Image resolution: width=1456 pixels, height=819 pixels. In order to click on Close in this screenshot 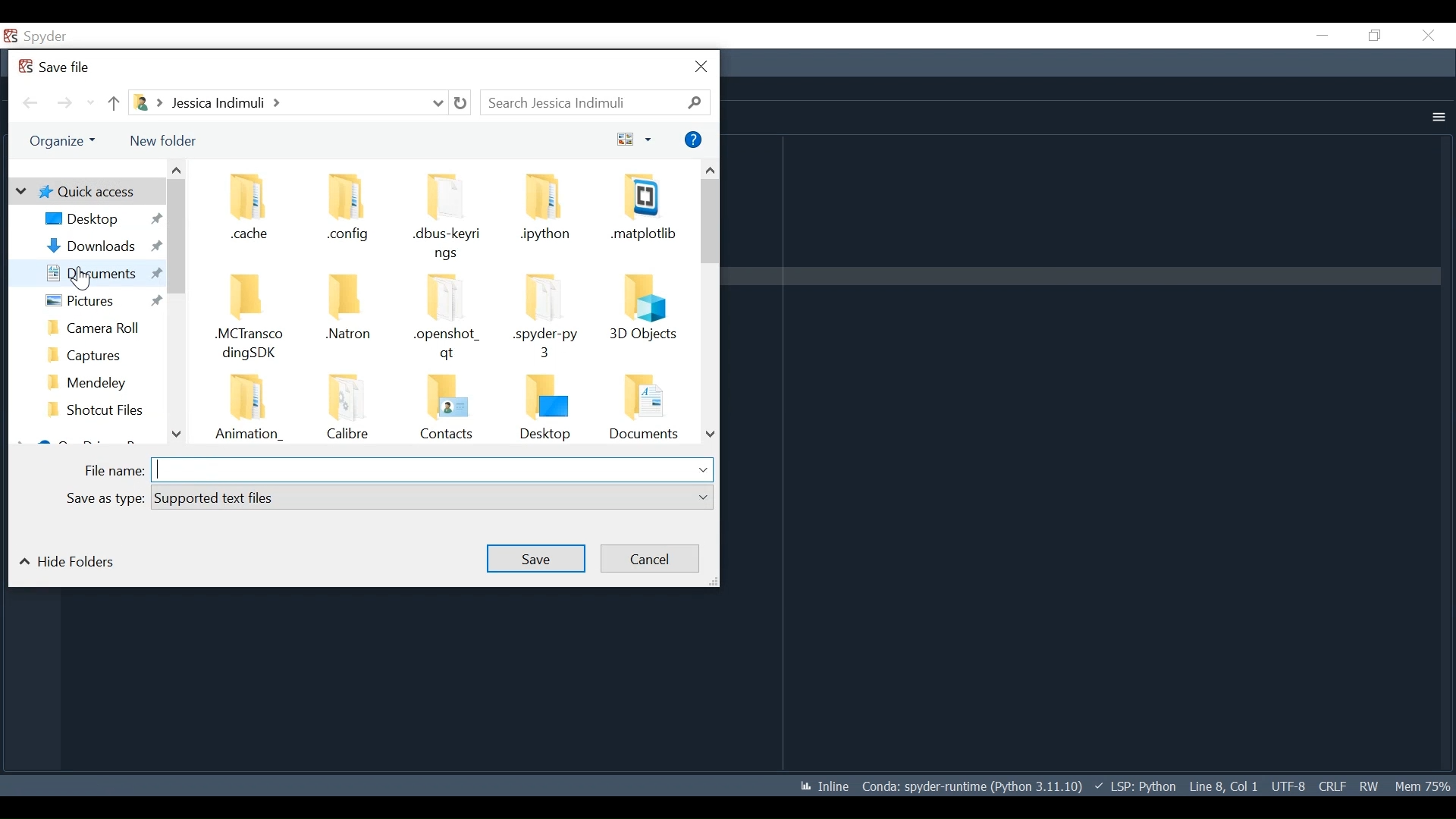, I will do `click(704, 67)`.